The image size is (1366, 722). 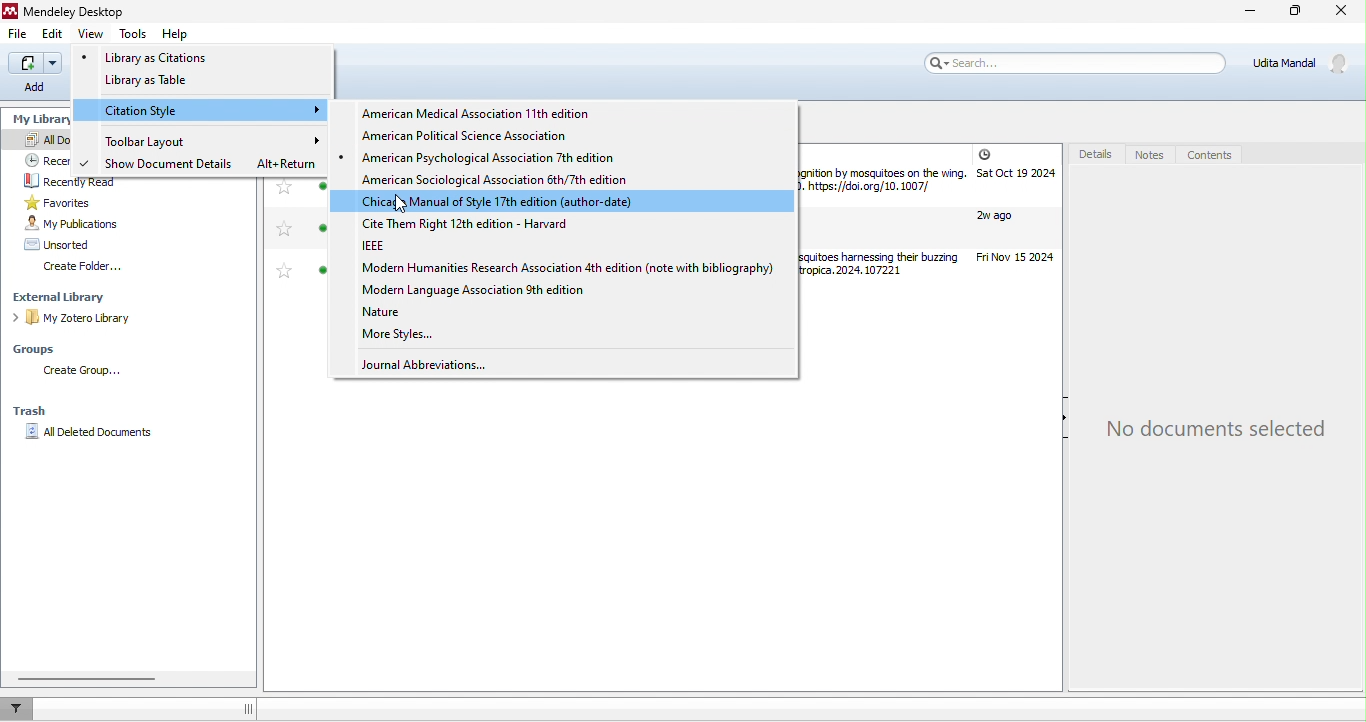 I want to click on notes, so click(x=1151, y=155).